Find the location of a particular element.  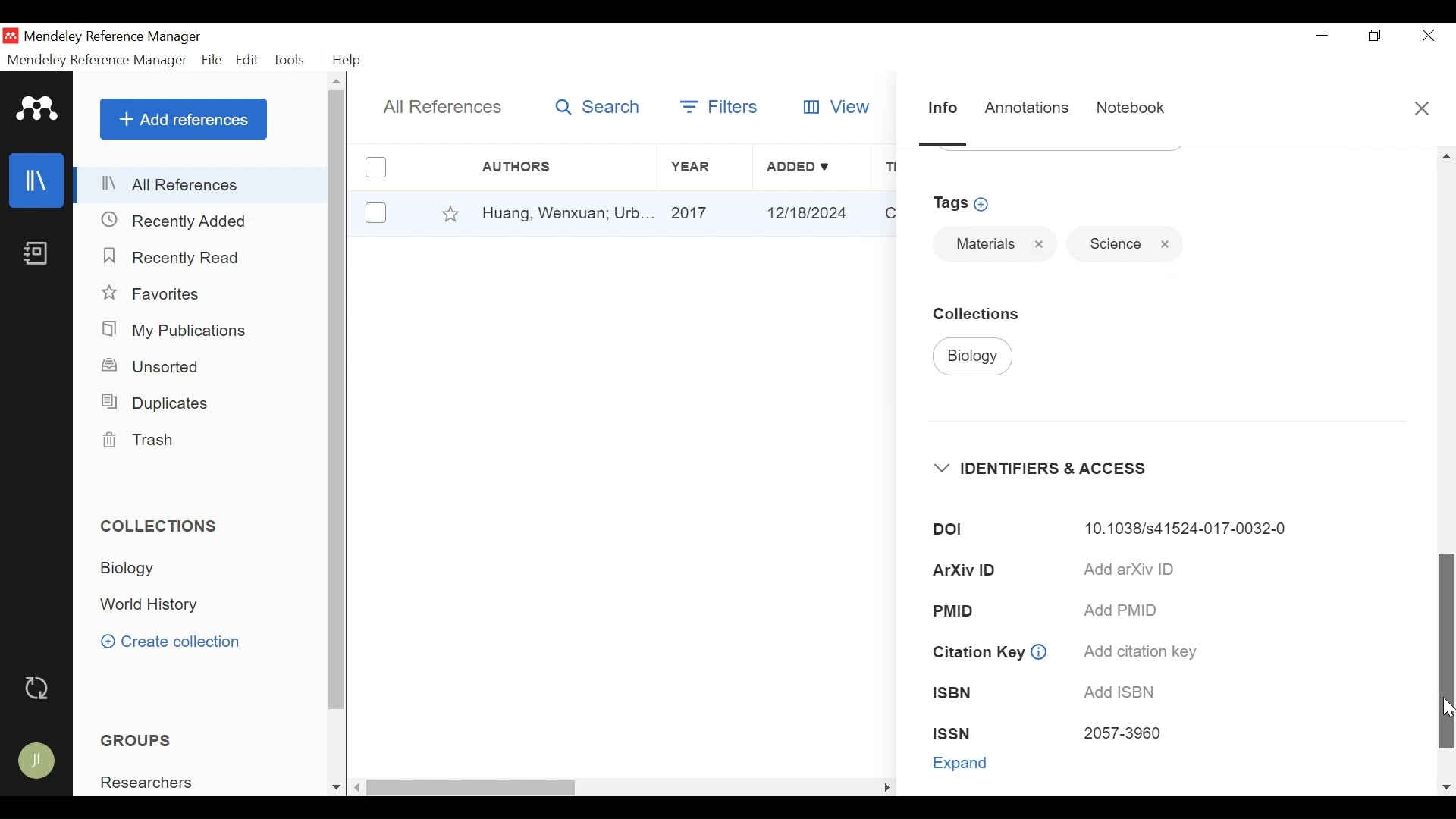

Create Collection is located at coordinates (170, 641).